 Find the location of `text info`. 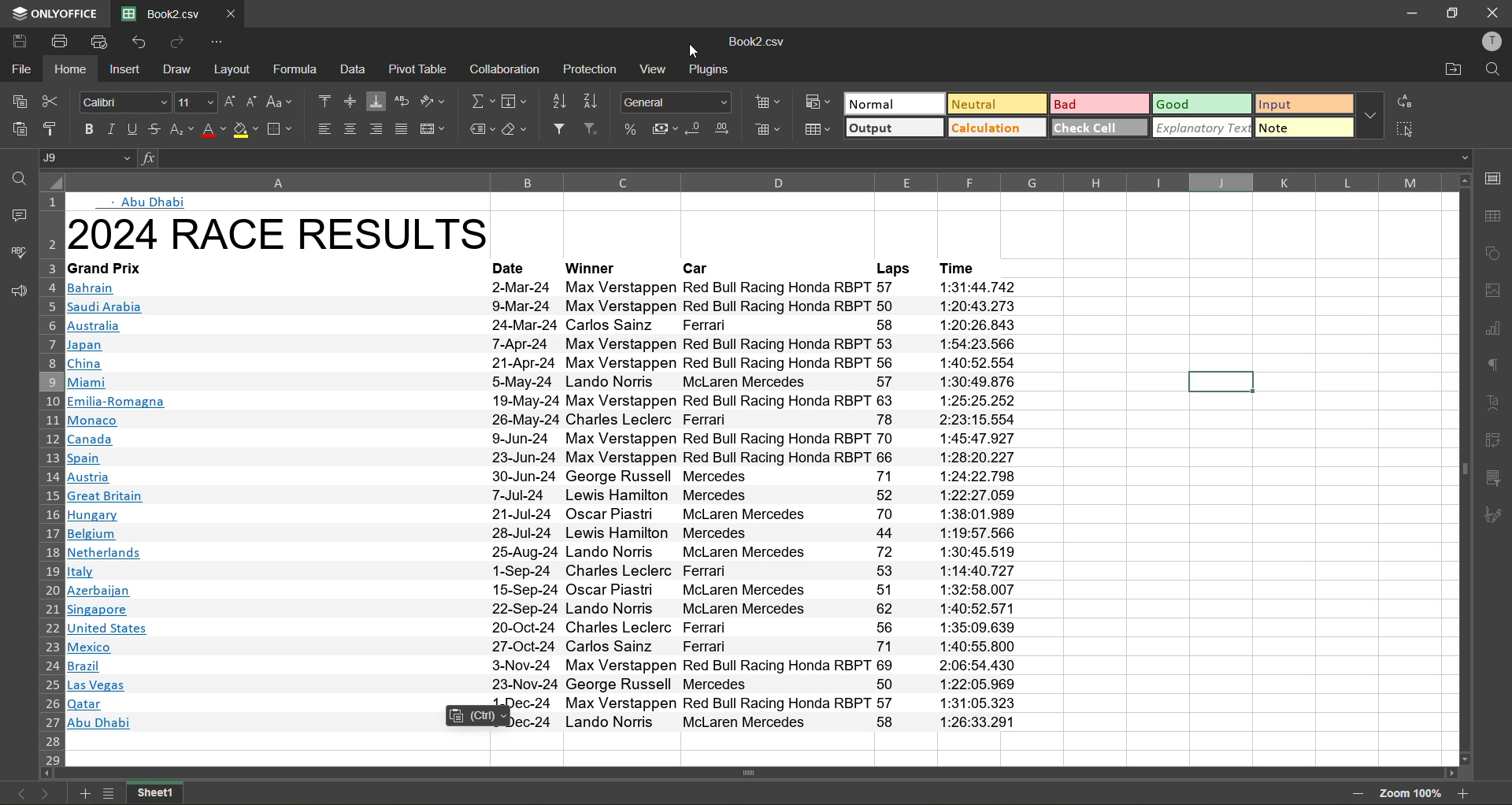

text info is located at coordinates (543, 326).